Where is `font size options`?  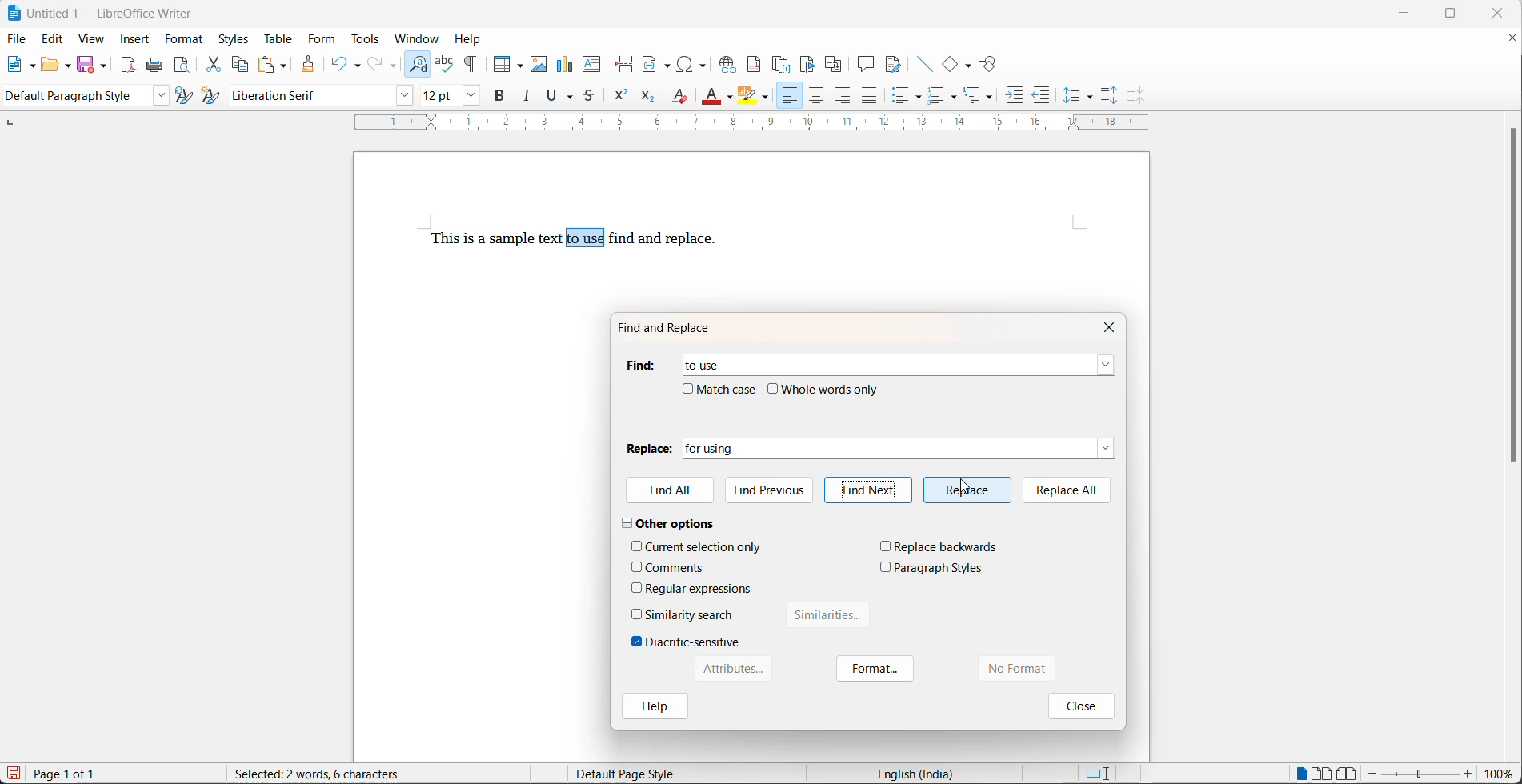 font size options is located at coordinates (467, 98).